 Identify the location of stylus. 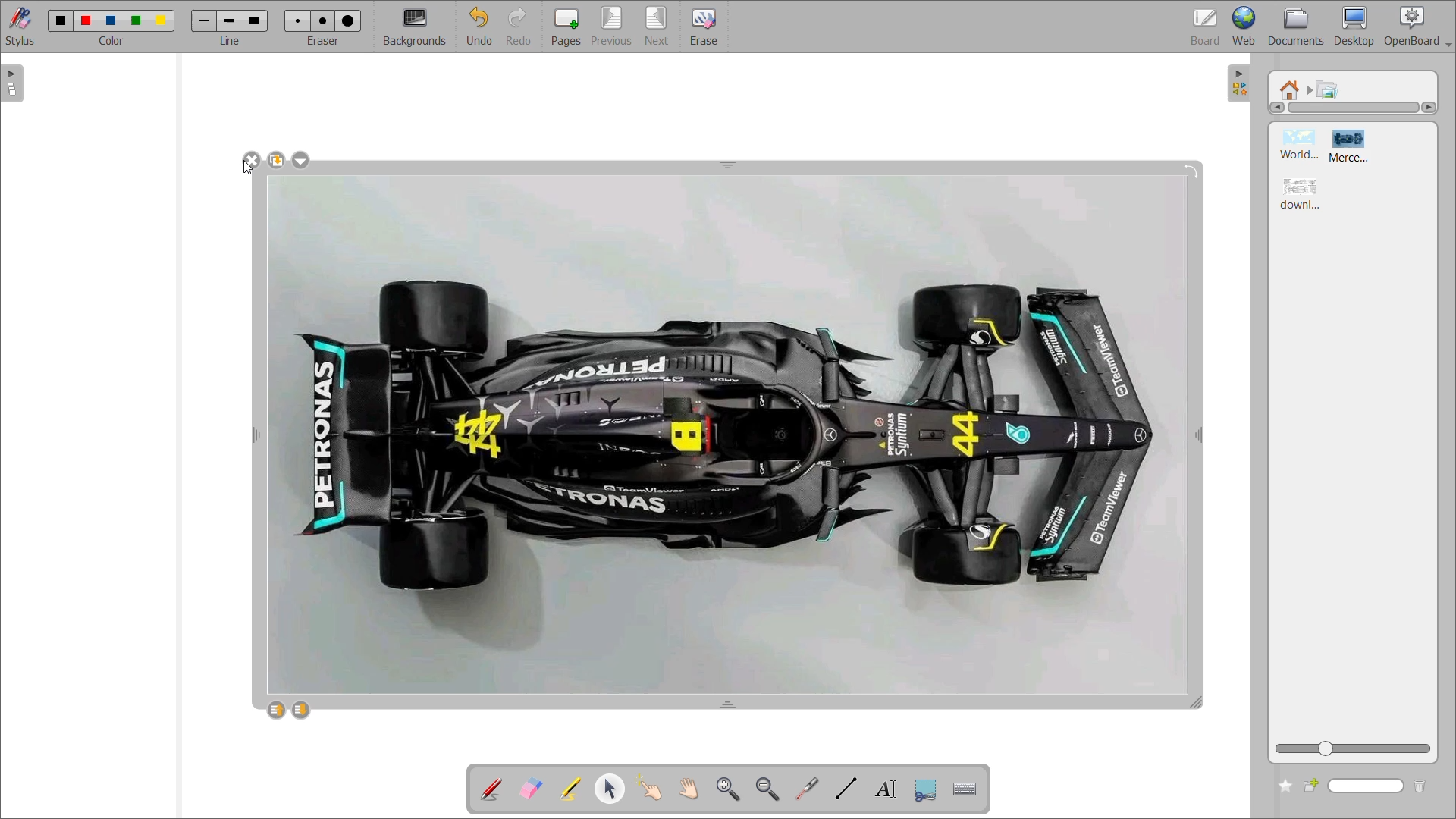
(19, 27).